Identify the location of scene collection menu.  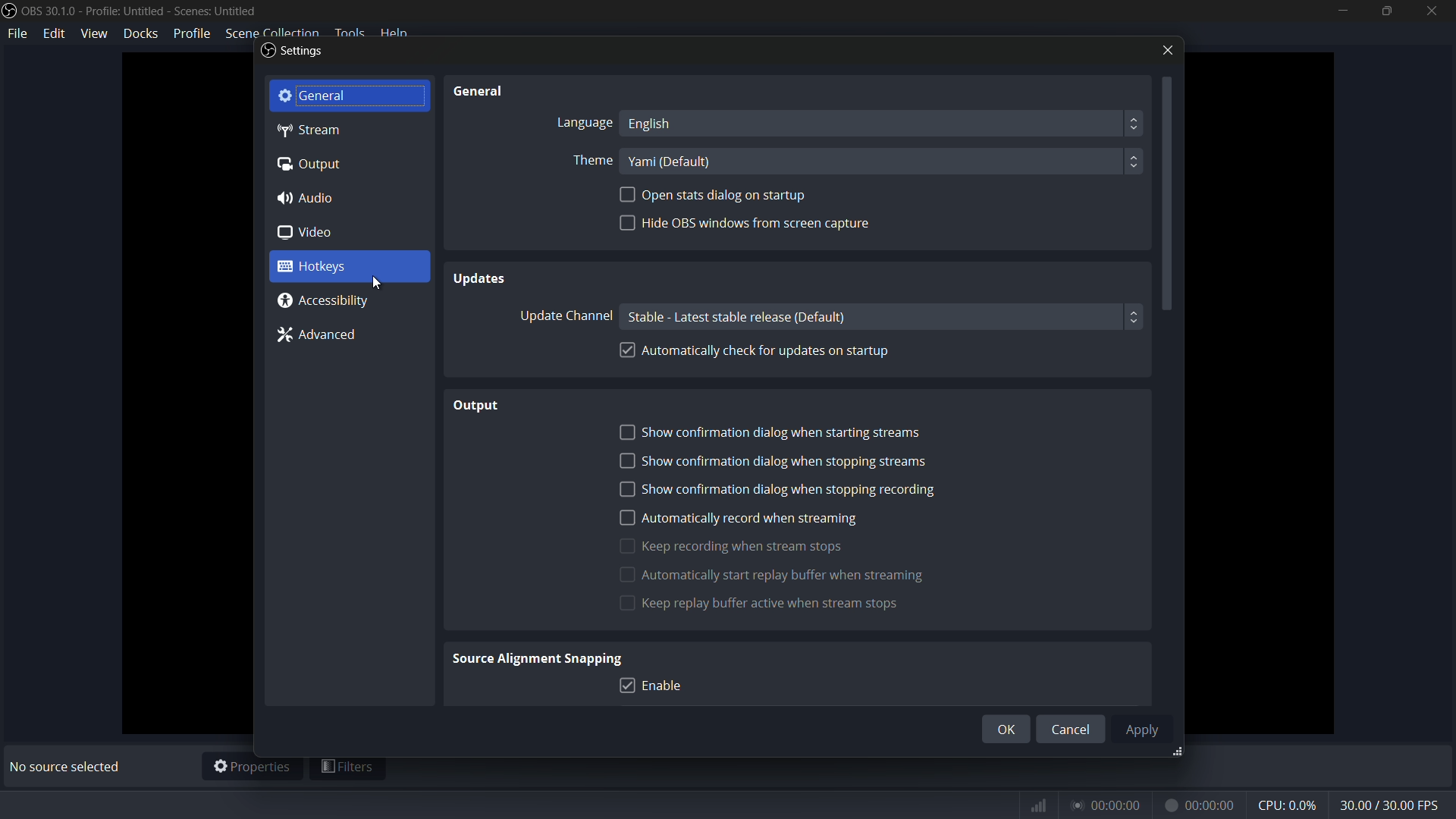
(271, 33).